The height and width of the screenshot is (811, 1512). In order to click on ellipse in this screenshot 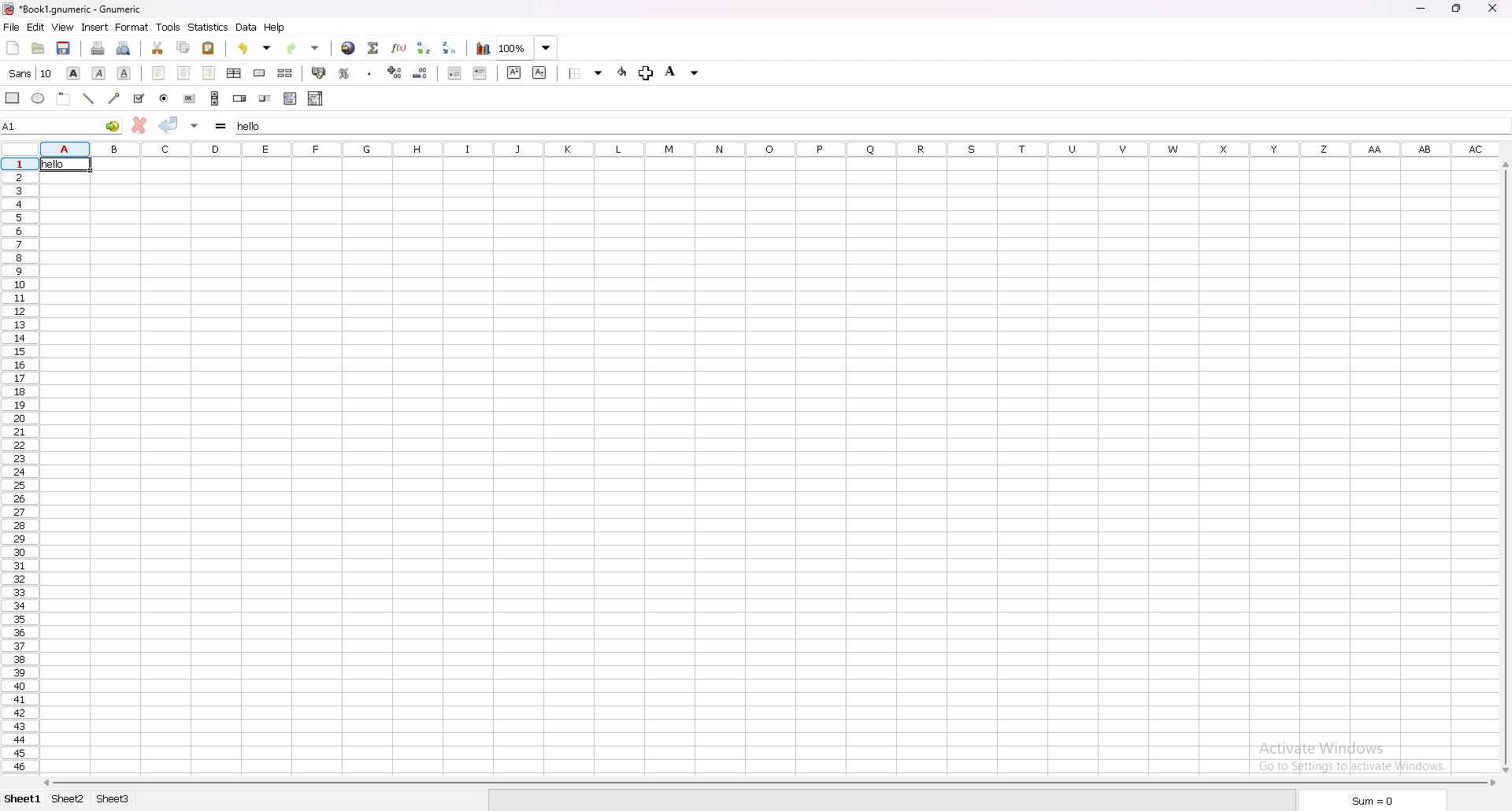, I will do `click(39, 98)`.